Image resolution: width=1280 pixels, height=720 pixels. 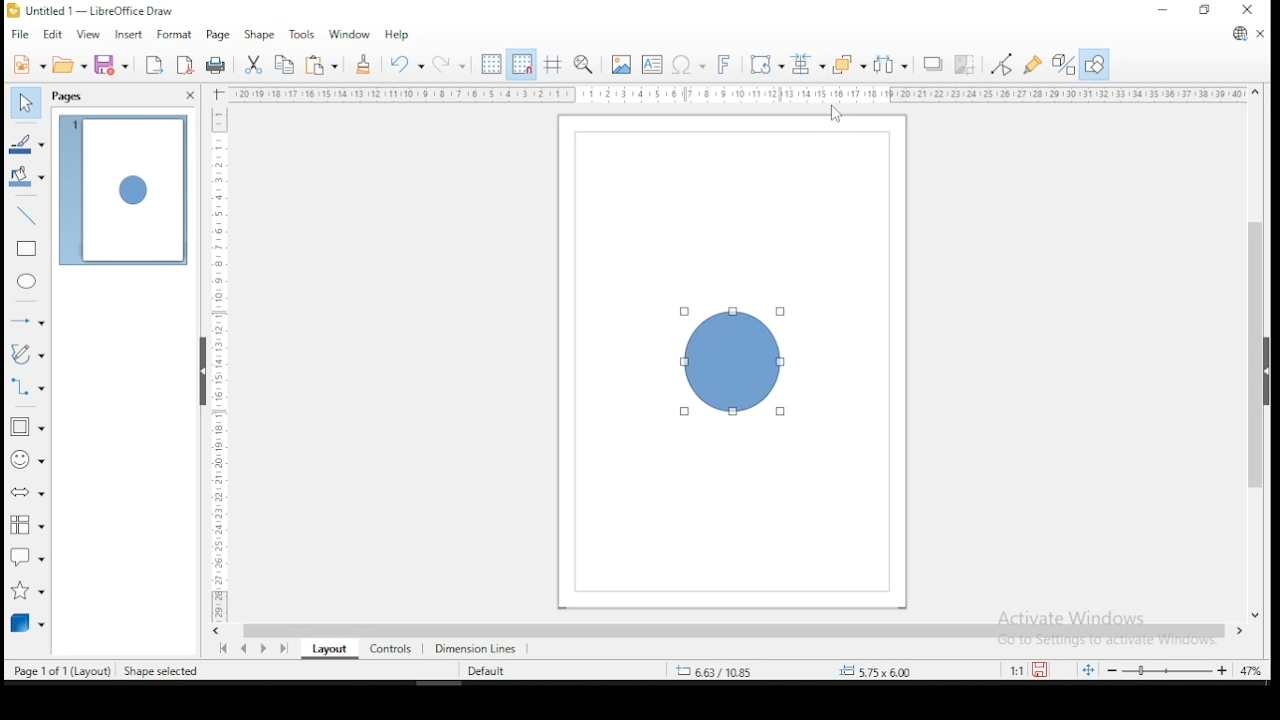 I want to click on export as PDF, so click(x=186, y=63).